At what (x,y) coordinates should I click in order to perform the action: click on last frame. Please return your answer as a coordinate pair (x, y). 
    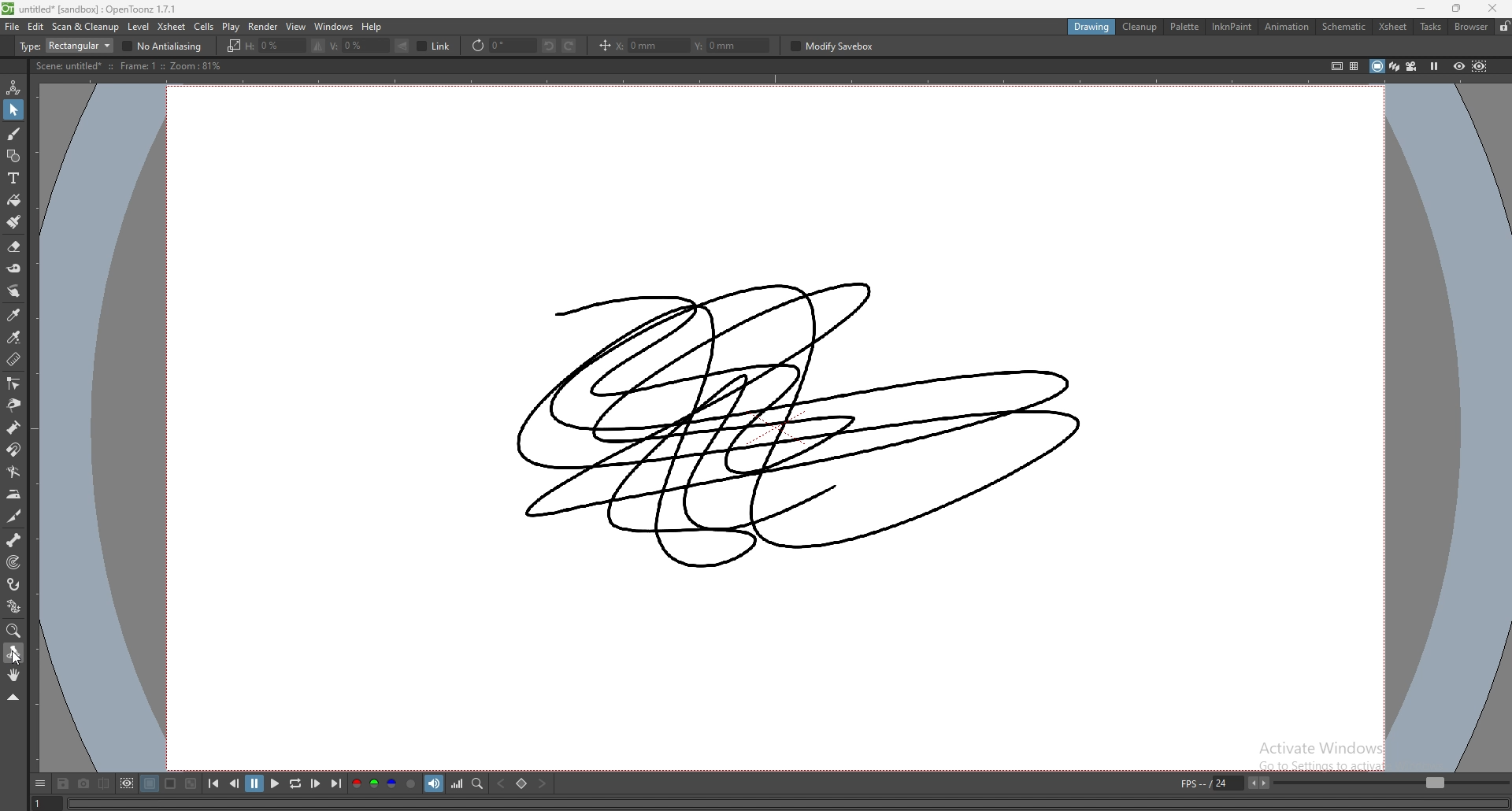
    Looking at the image, I should click on (335, 783).